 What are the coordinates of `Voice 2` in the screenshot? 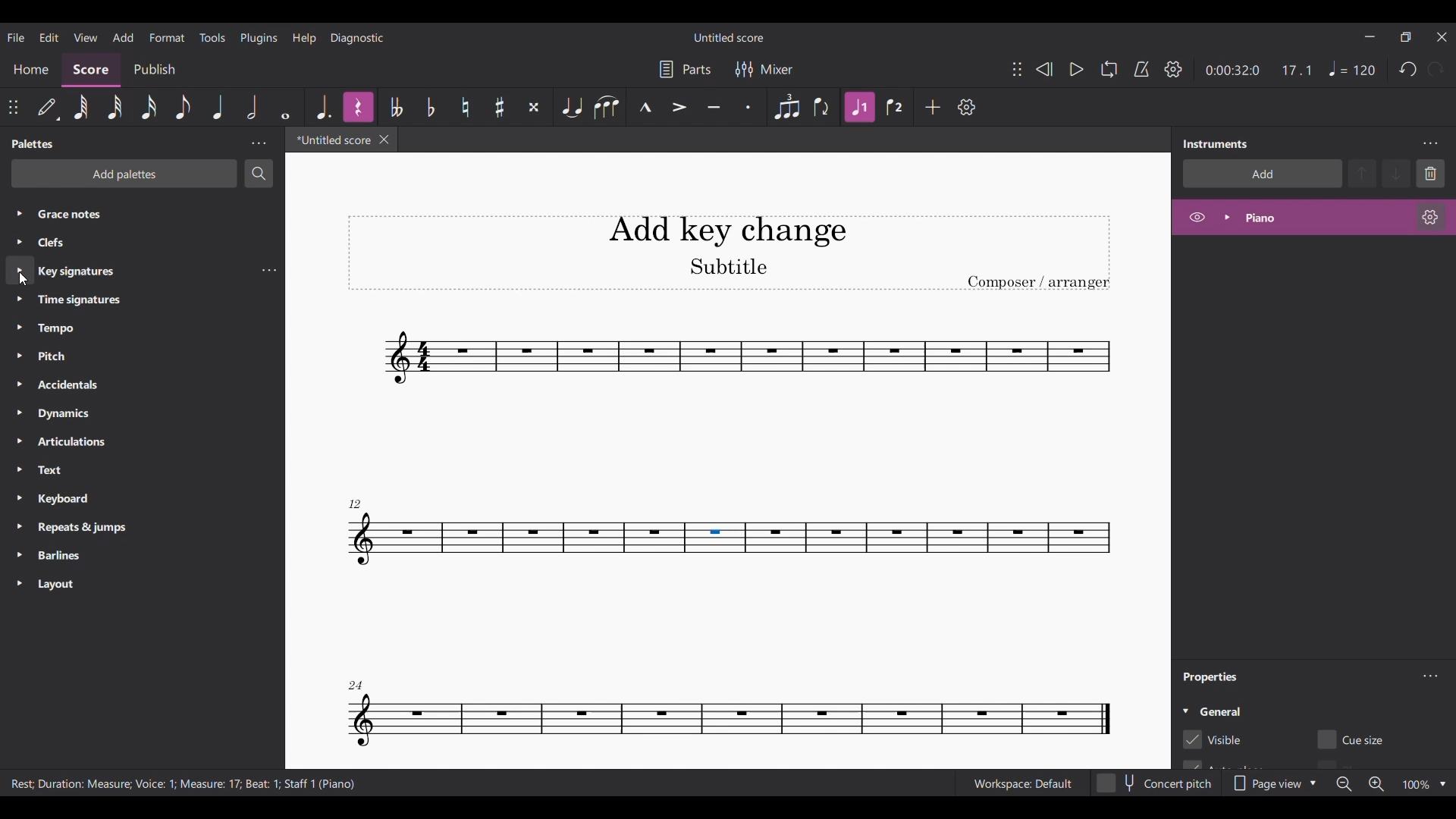 It's located at (894, 107).